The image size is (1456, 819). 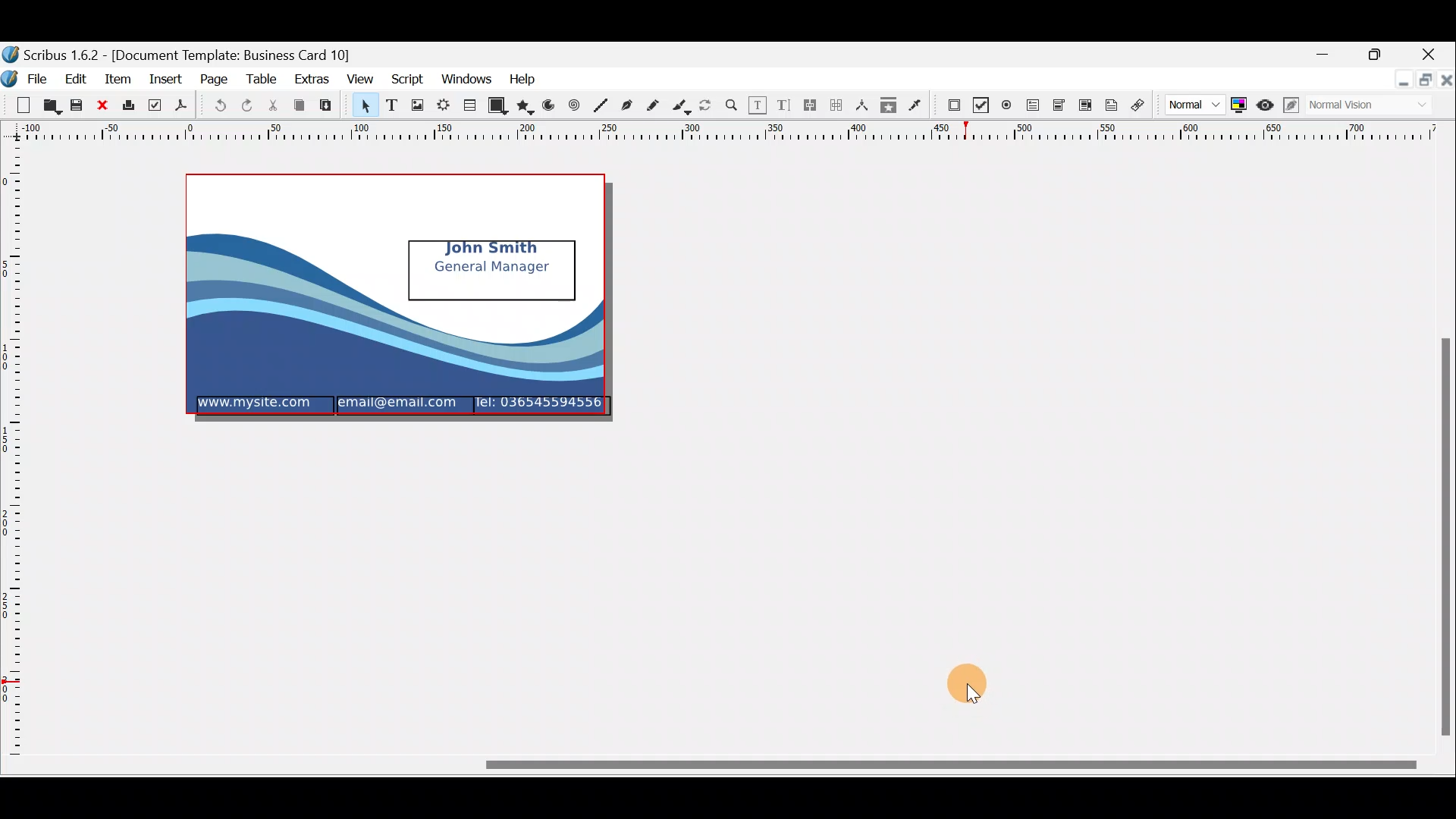 I want to click on close, so click(x=1447, y=80).